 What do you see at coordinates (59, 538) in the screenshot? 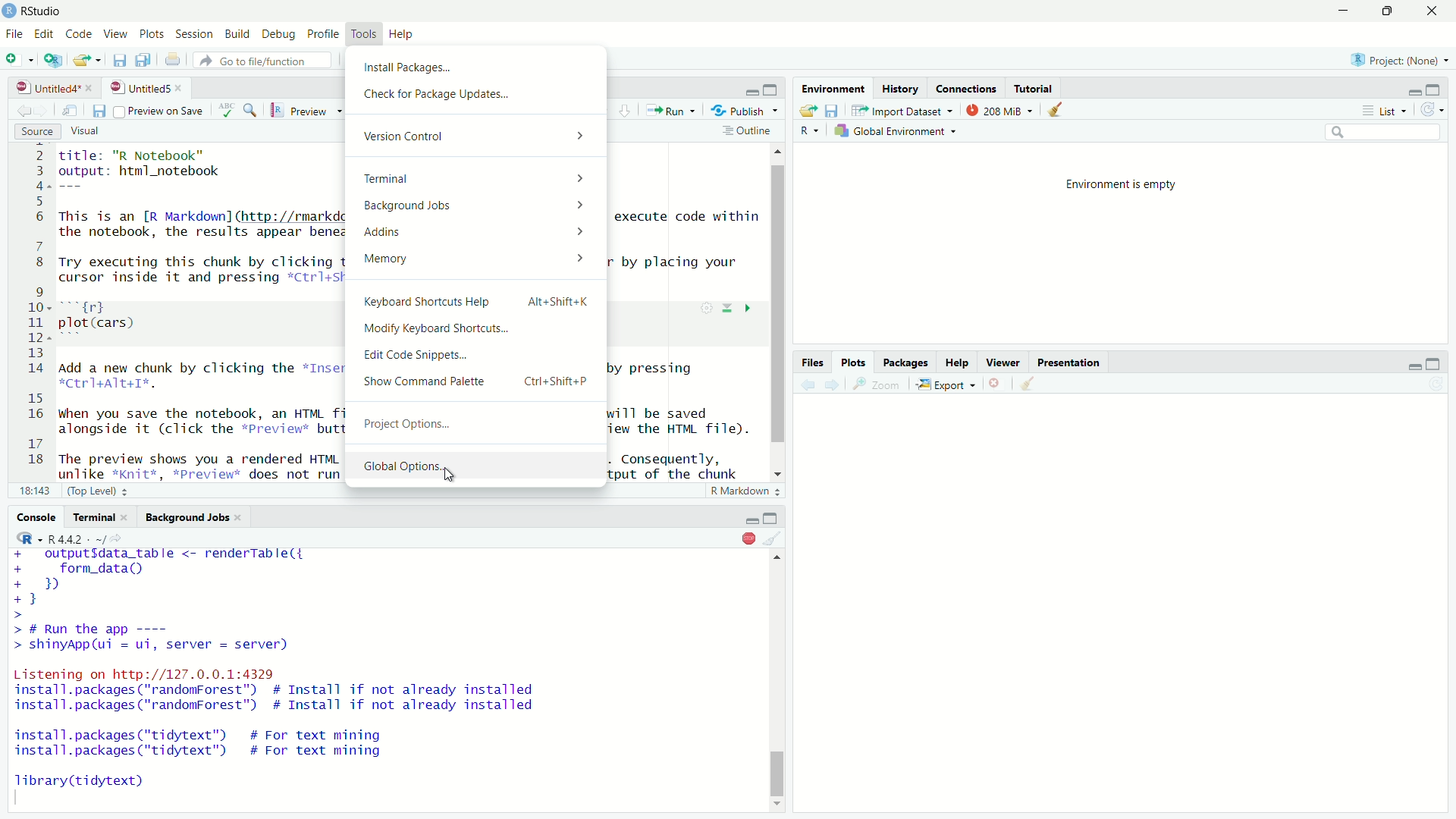
I see `R - R442 ~/` at bounding box center [59, 538].